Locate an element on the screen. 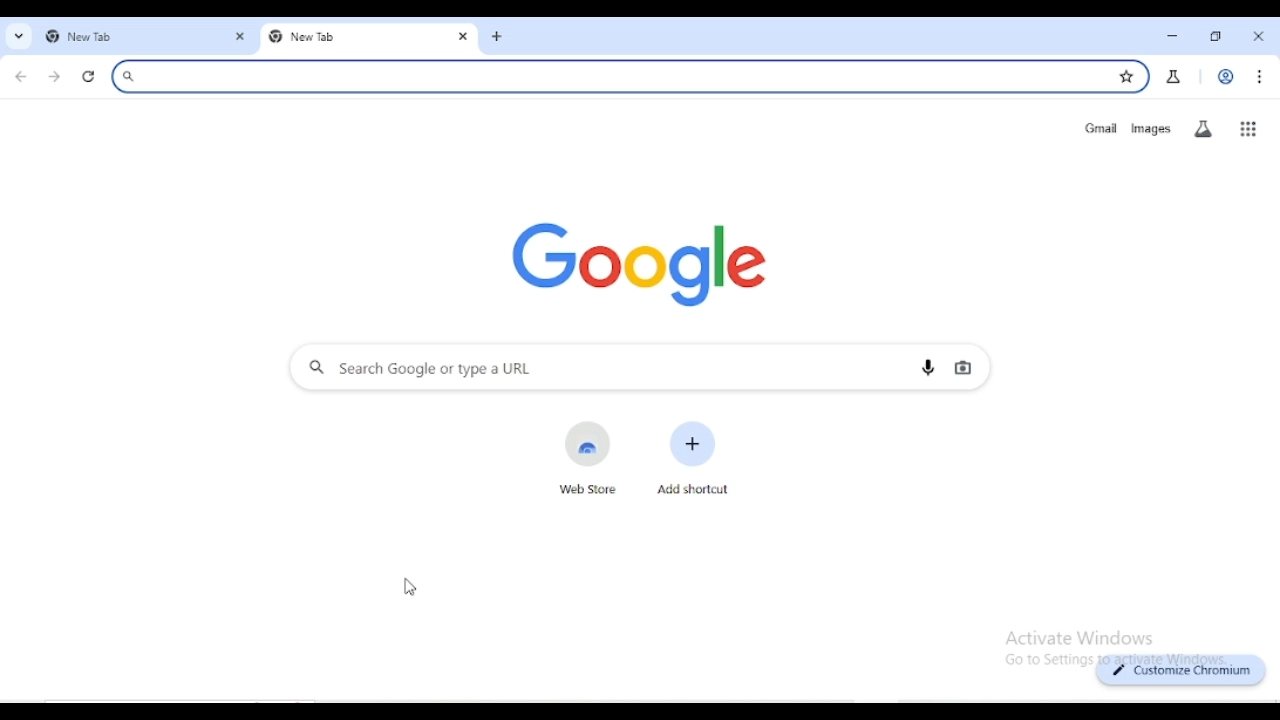  search by voice is located at coordinates (929, 368).